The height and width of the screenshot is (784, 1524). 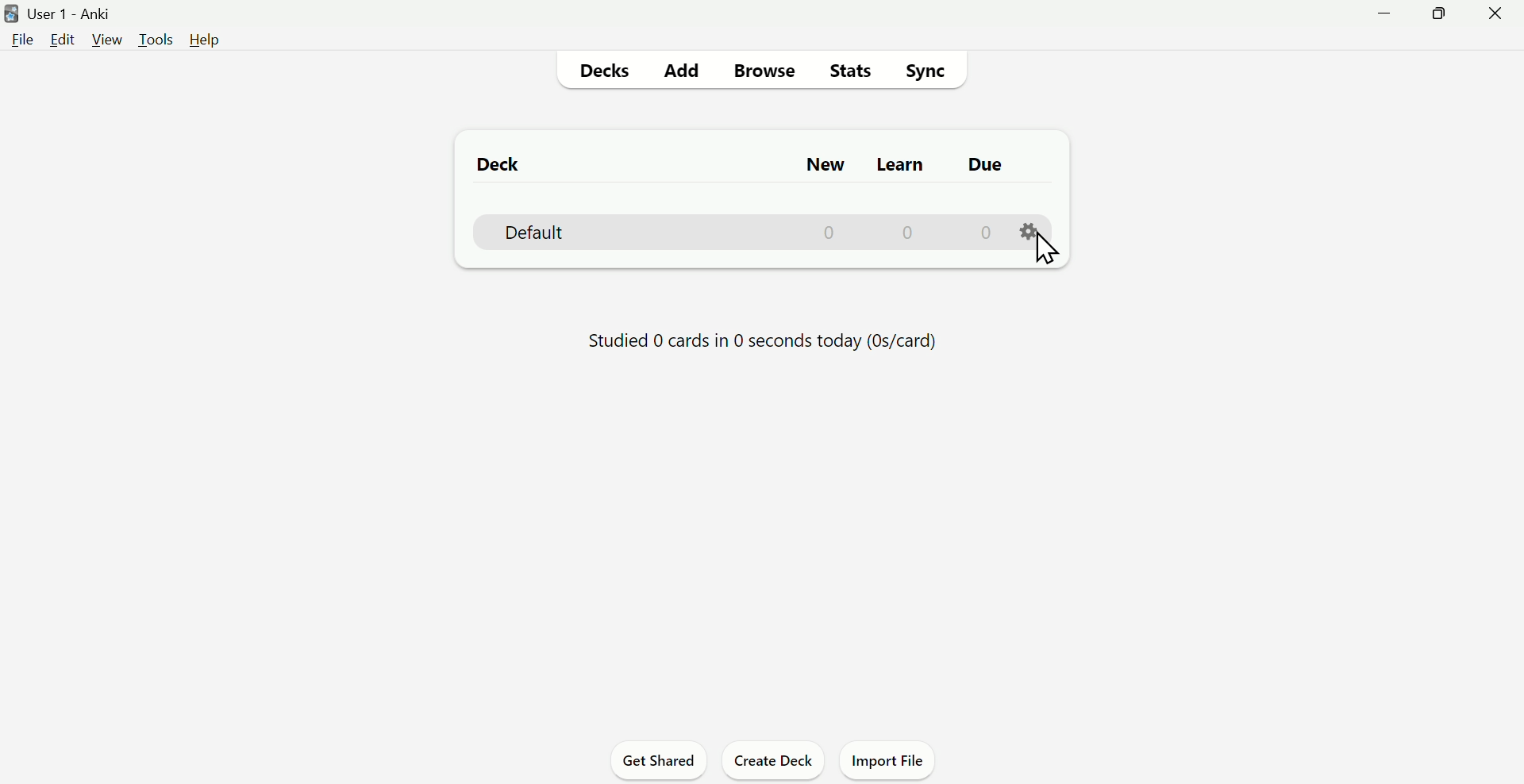 I want to click on Close, so click(x=1498, y=16).